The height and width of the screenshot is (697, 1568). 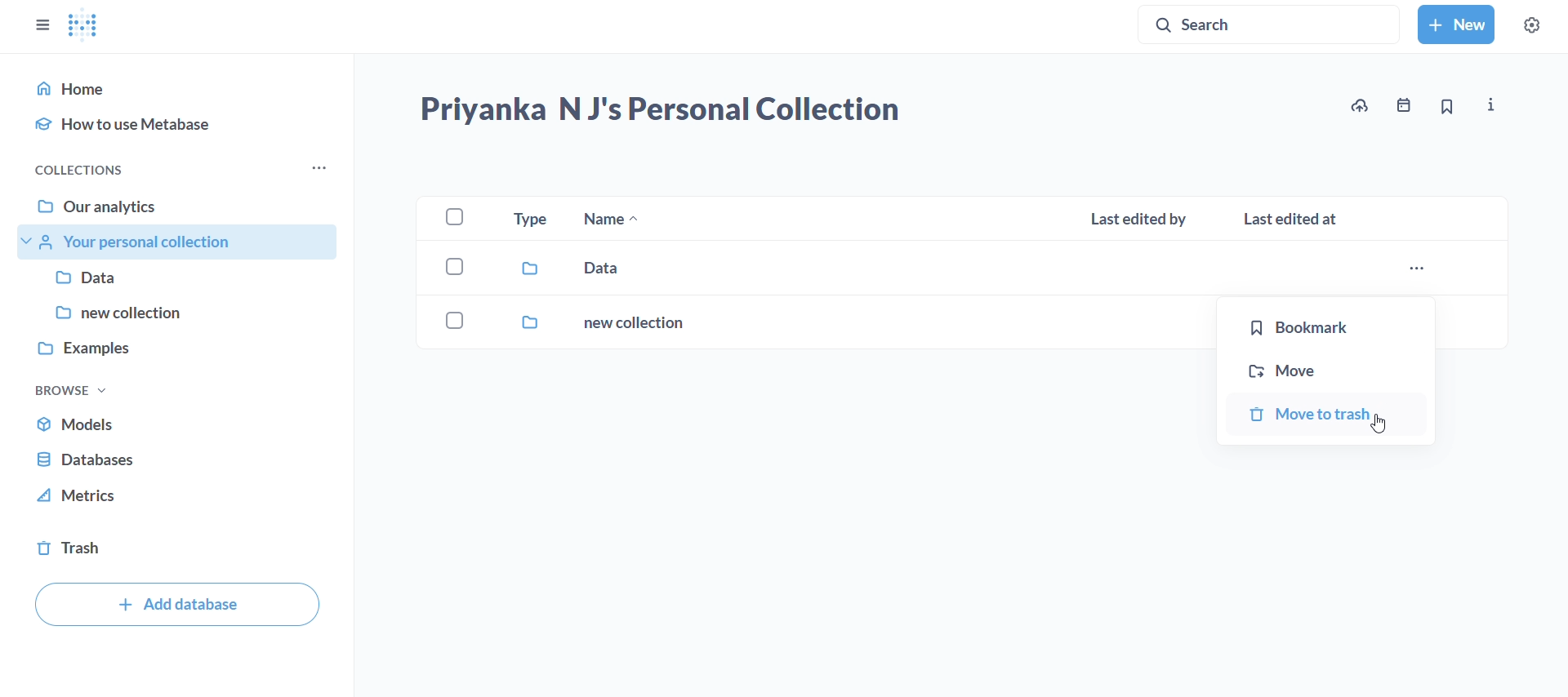 I want to click on new collection, so click(x=183, y=309).